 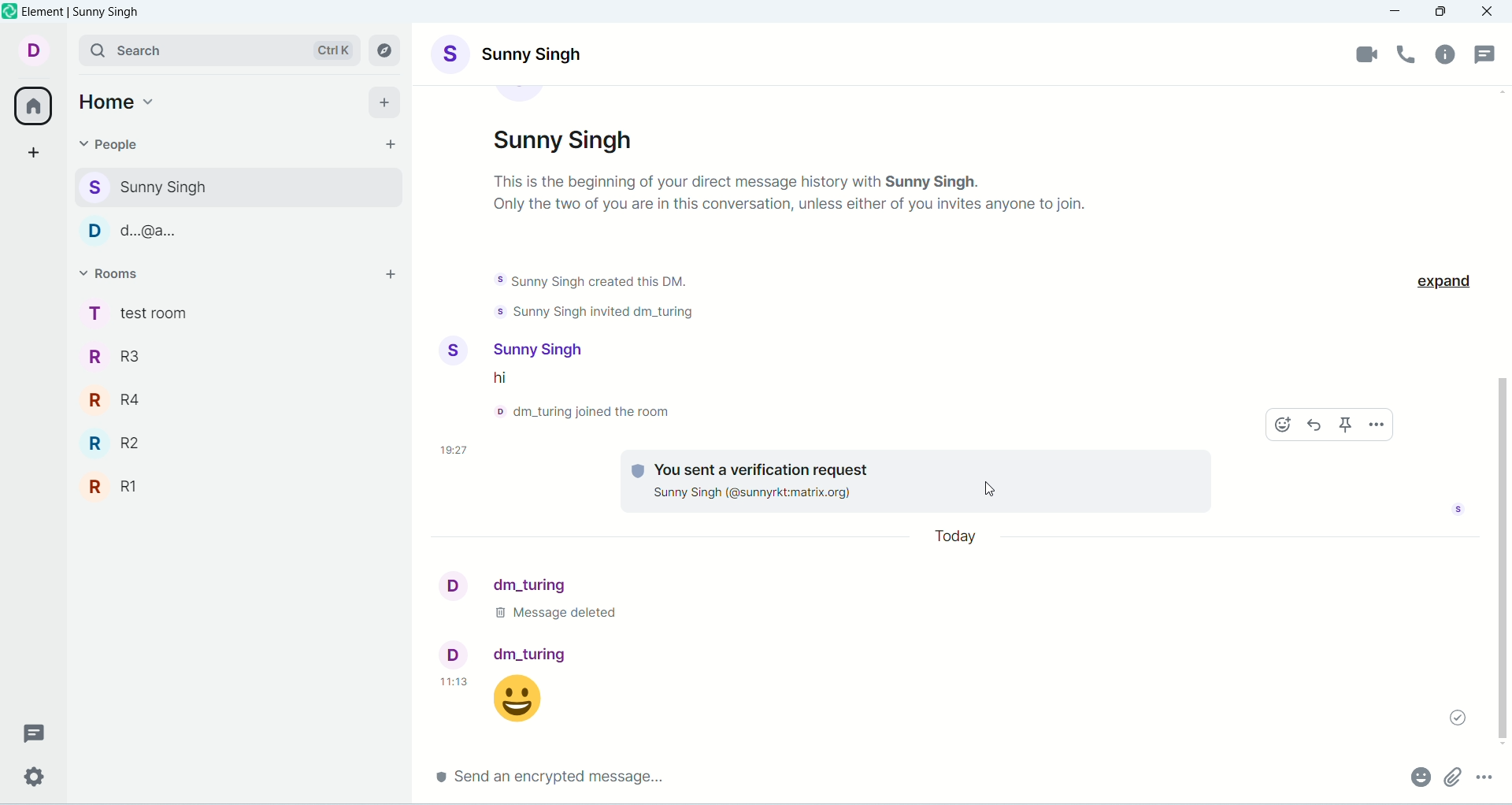 I want to click on add, so click(x=393, y=276).